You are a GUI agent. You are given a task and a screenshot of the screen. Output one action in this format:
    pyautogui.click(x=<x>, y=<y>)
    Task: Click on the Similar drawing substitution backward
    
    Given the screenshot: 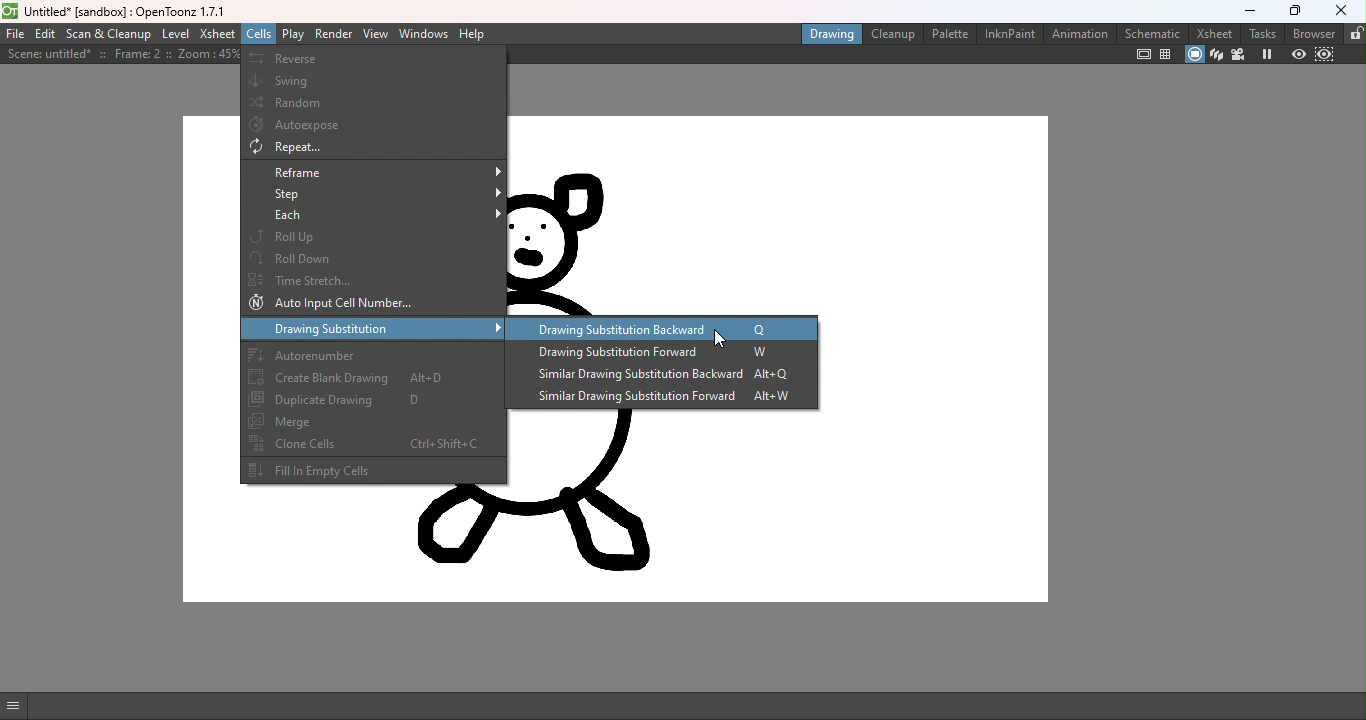 What is the action you would take?
    pyautogui.click(x=654, y=377)
    